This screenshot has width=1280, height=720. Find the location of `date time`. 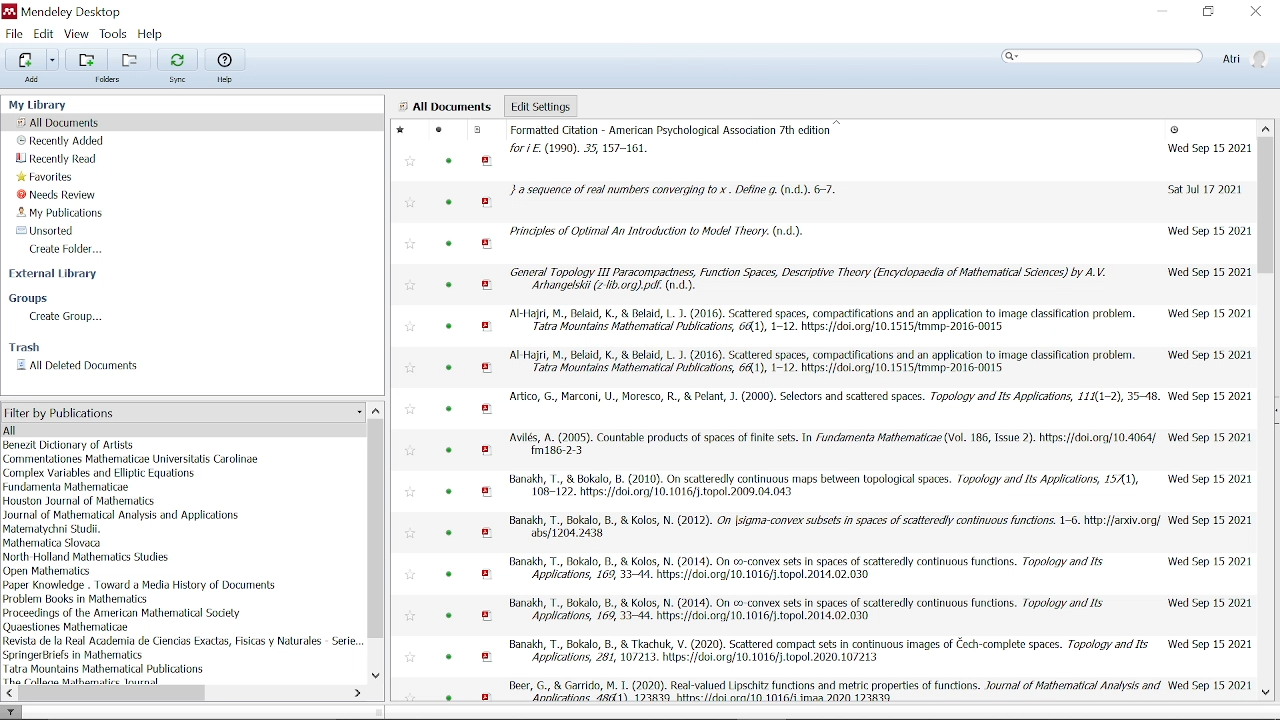

date time is located at coordinates (1176, 131).